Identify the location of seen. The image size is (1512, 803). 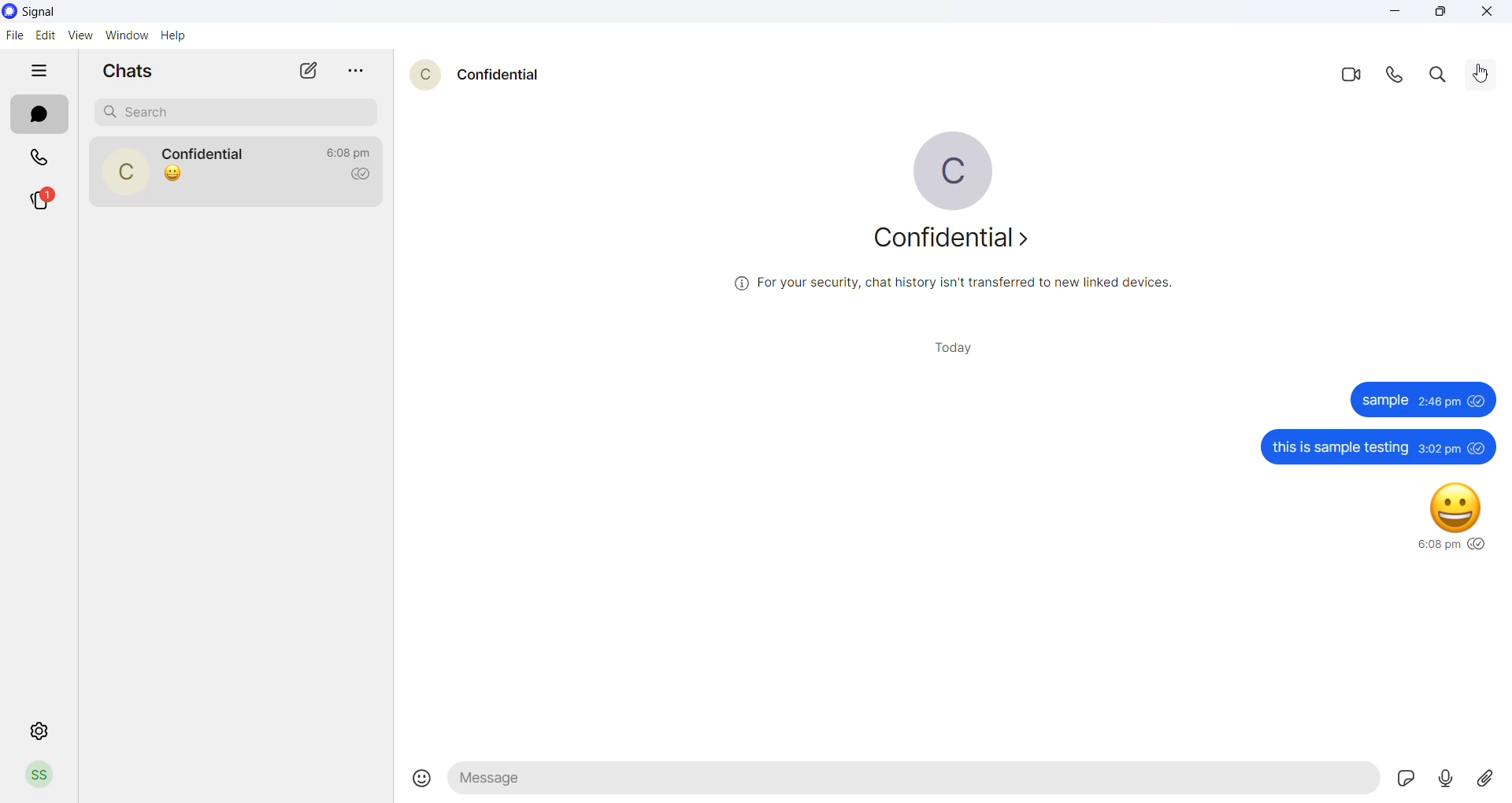
(1476, 402).